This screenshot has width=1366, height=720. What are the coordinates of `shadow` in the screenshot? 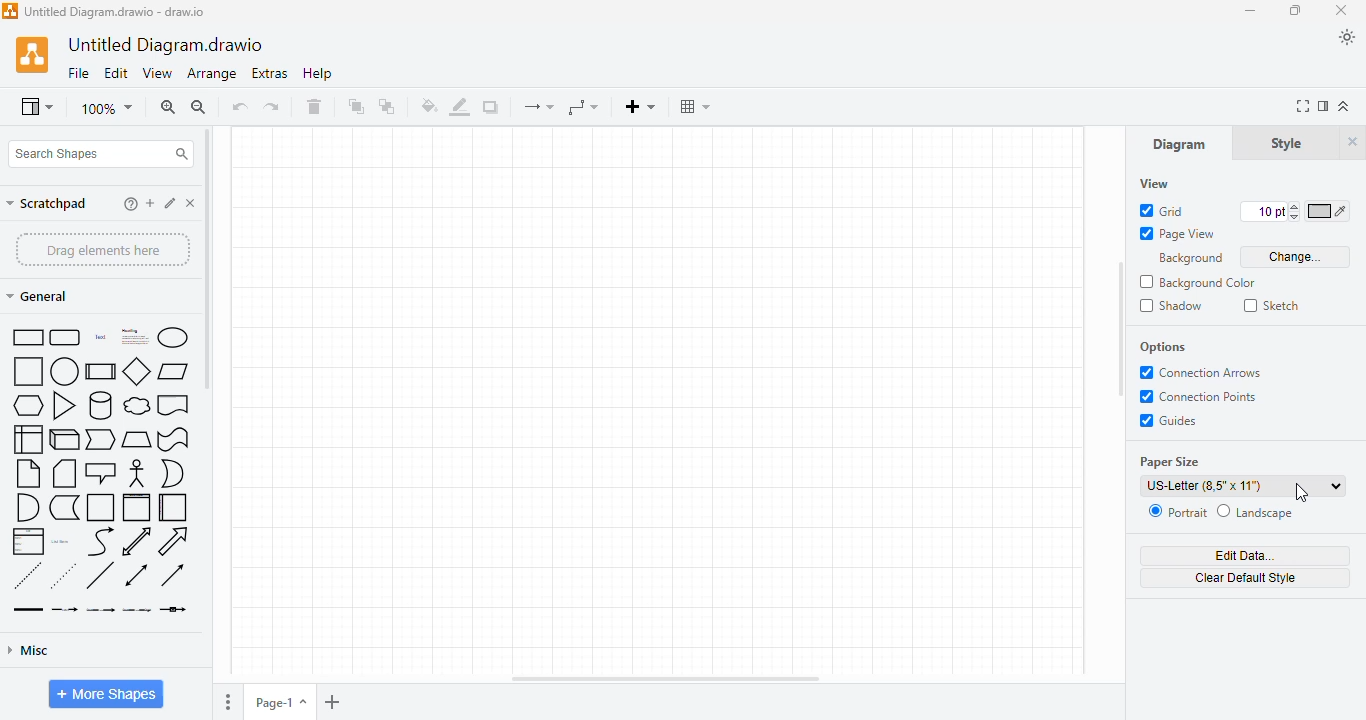 It's located at (1171, 305).